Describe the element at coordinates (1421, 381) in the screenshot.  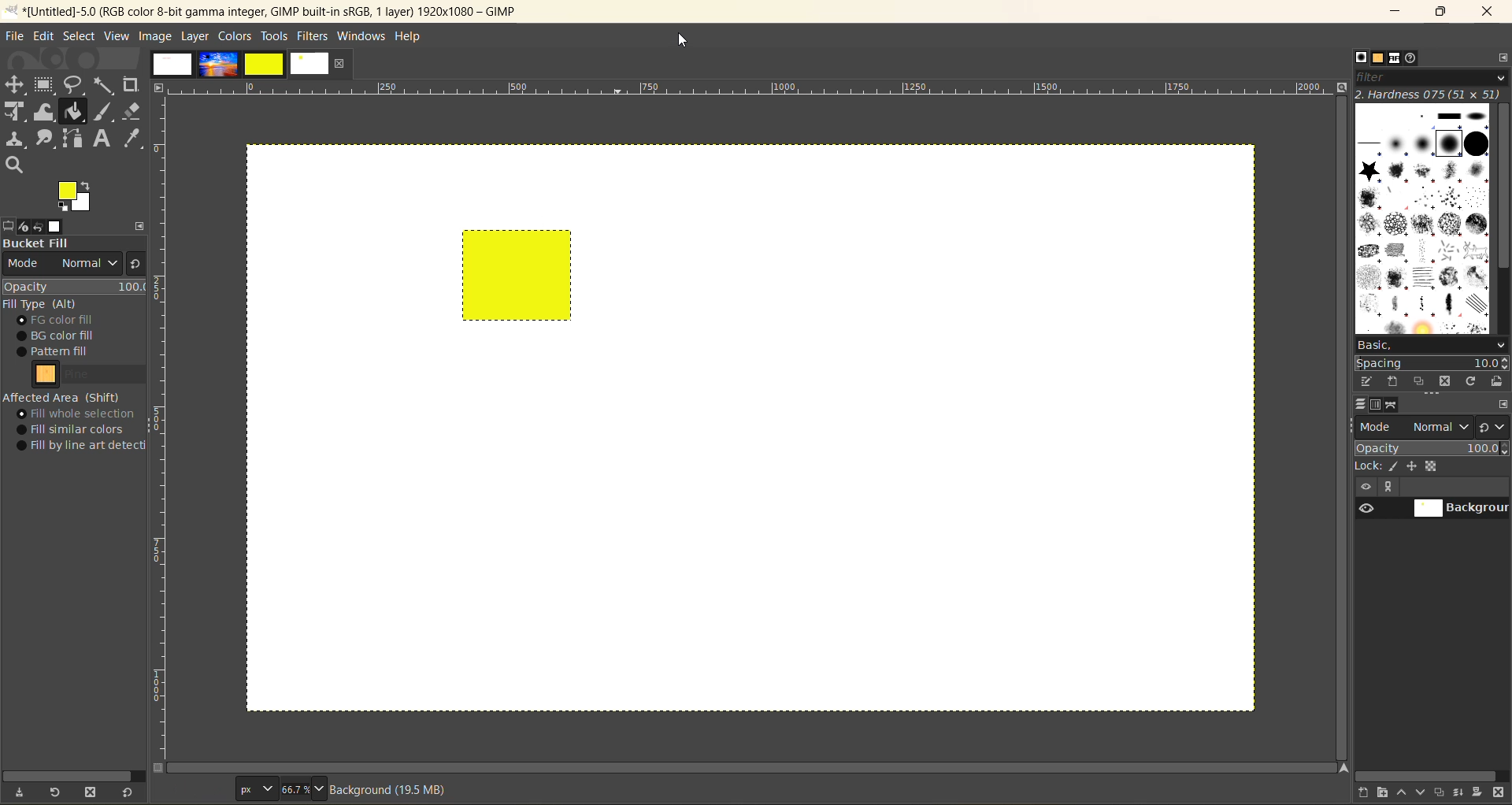
I see `duplicate this brush` at that location.